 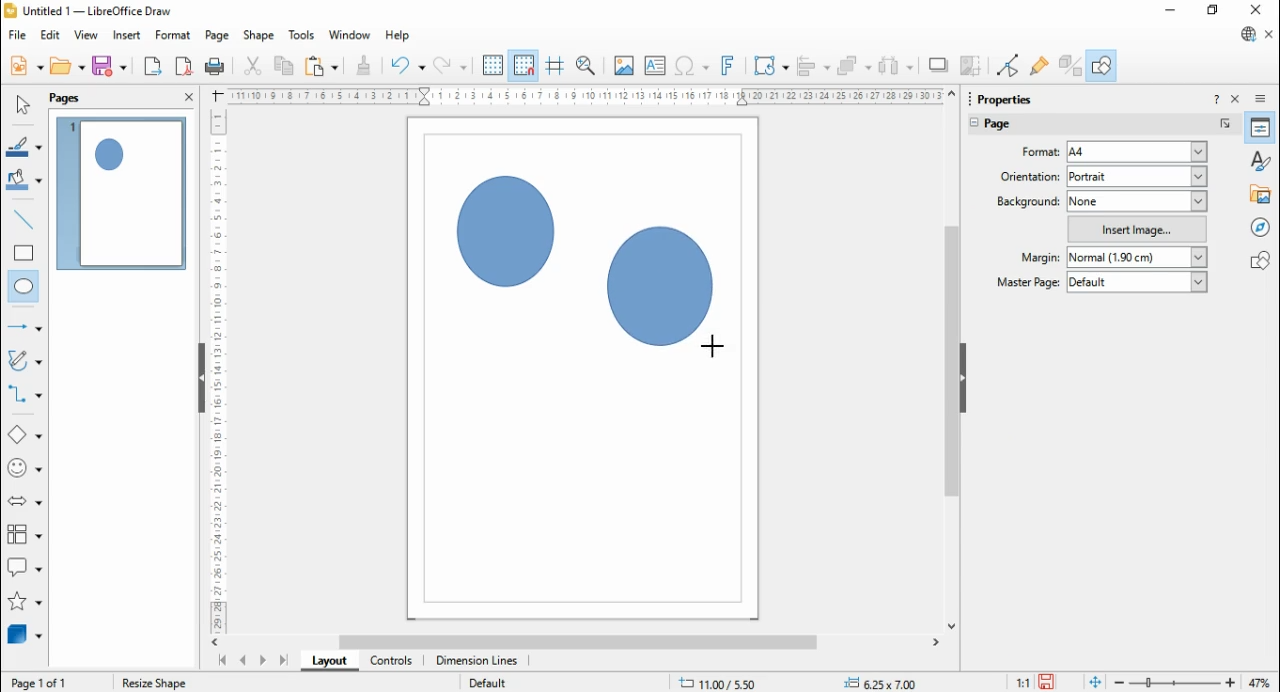 I want to click on page orientation, so click(x=1029, y=175).